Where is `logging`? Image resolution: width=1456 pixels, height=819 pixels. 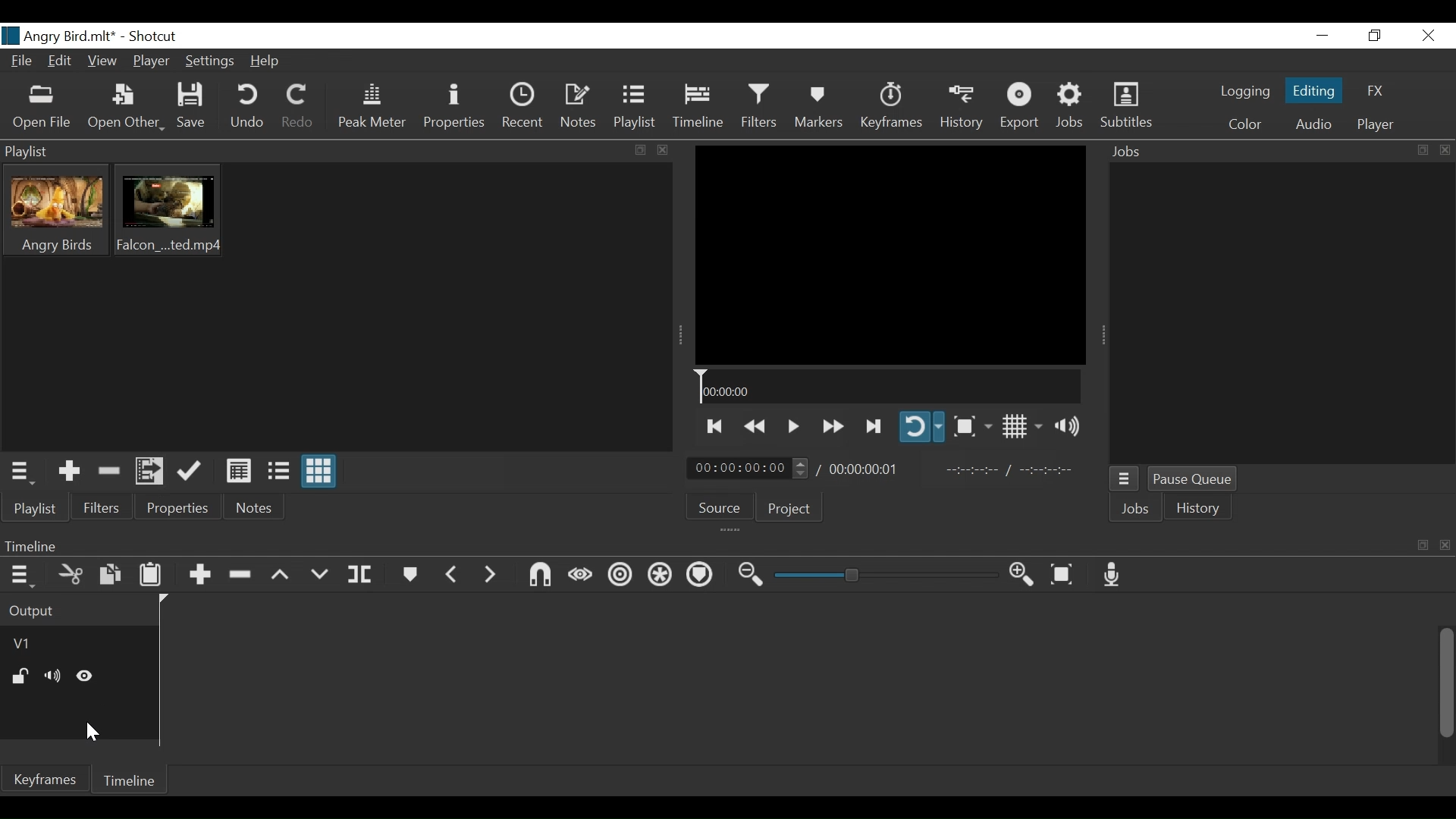
logging is located at coordinates (1246, 92).